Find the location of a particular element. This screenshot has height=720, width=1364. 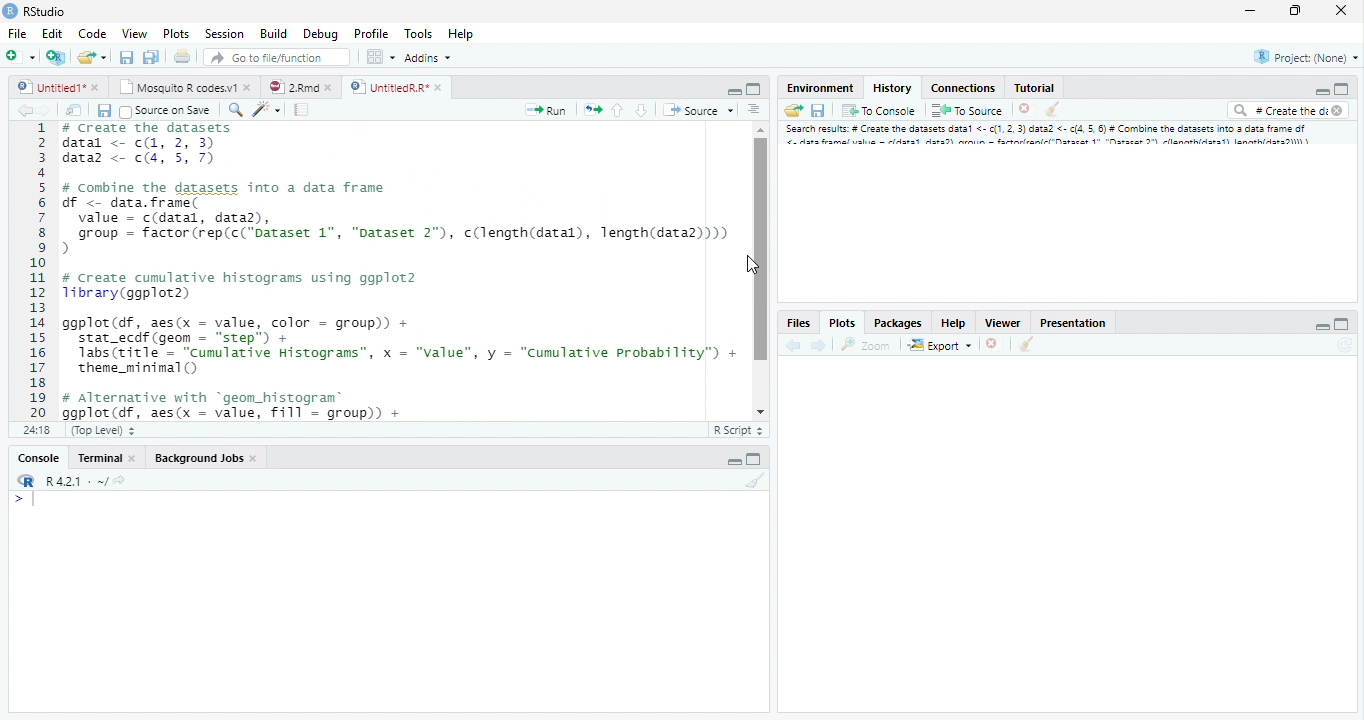

Print is located at coordinates (185, 57).